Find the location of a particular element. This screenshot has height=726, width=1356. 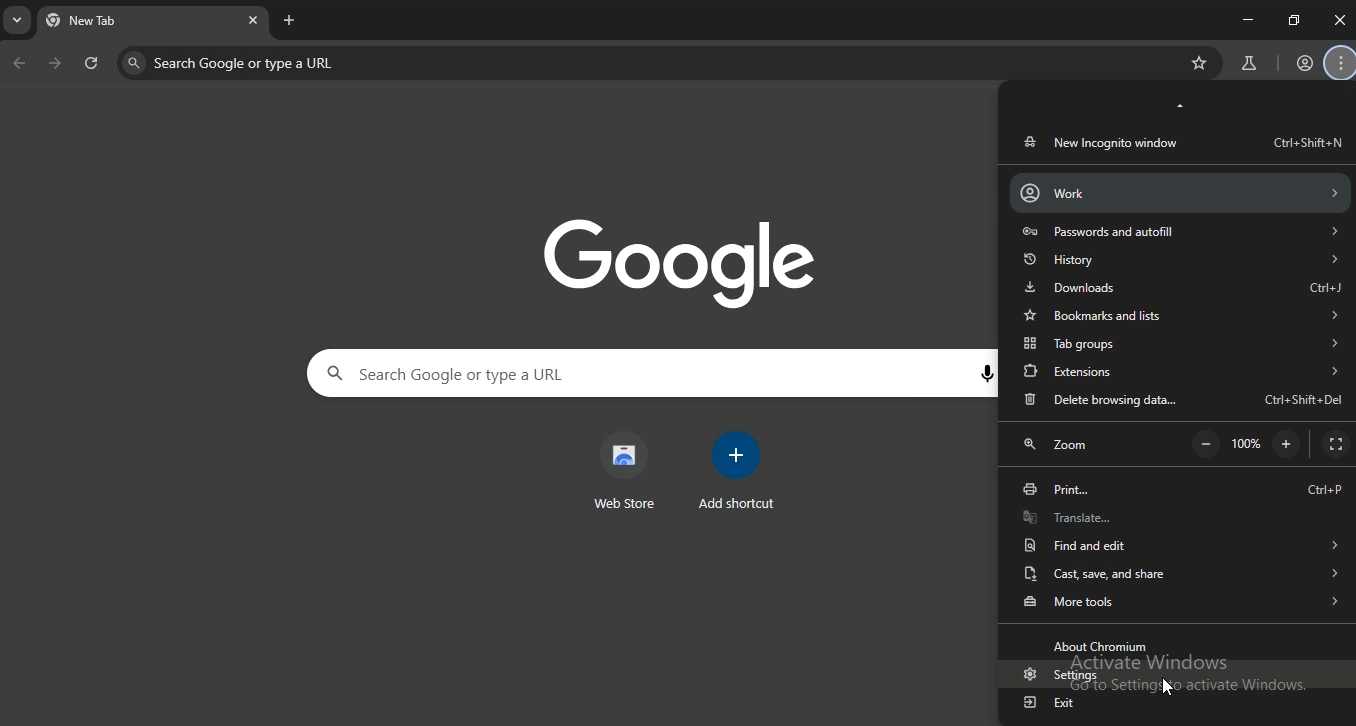

print is located at coordinates (1182, 489).